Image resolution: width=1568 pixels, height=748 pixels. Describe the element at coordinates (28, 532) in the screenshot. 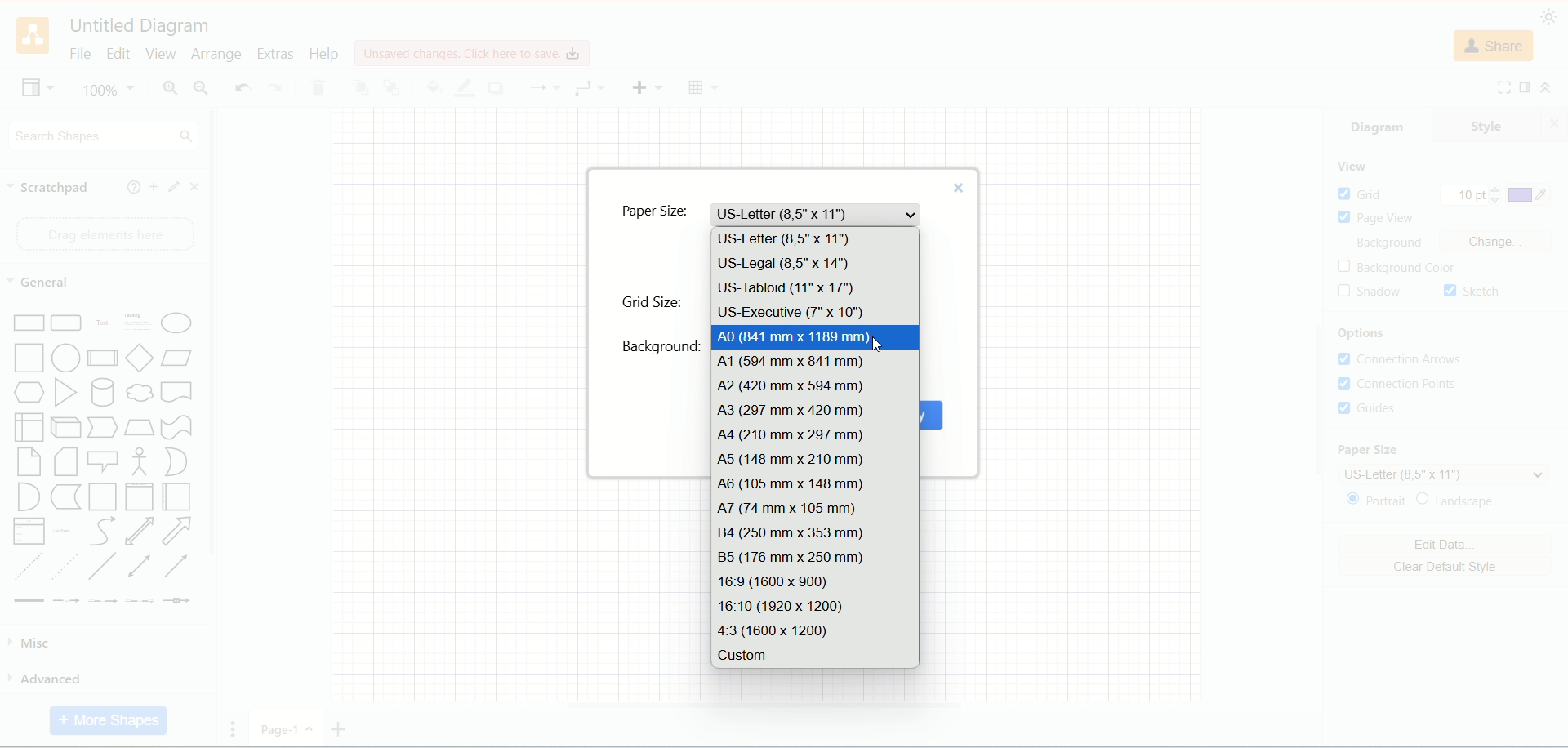

I see `Item List` at that location.